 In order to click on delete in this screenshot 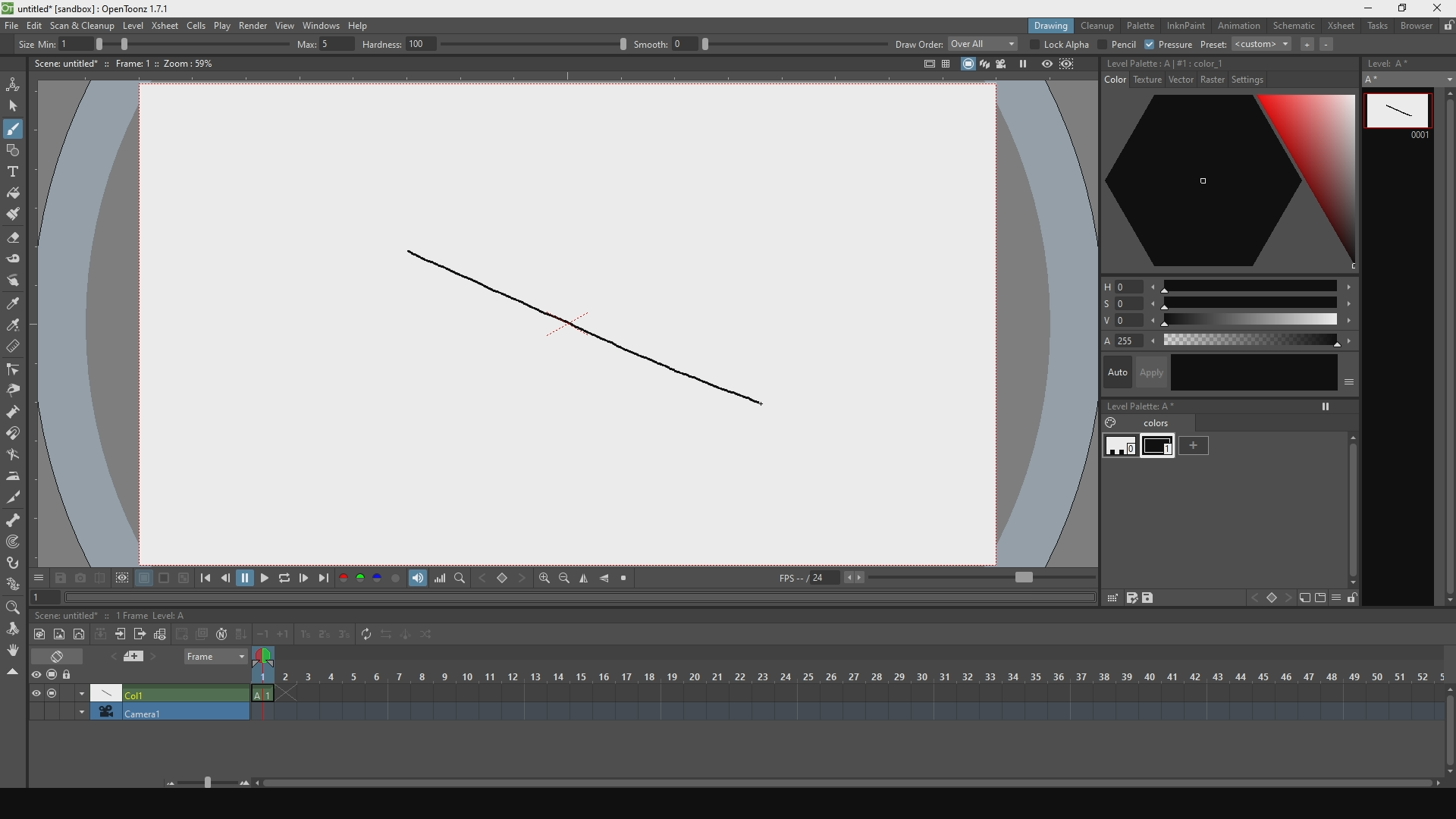, I will do `click(15, 348)`.